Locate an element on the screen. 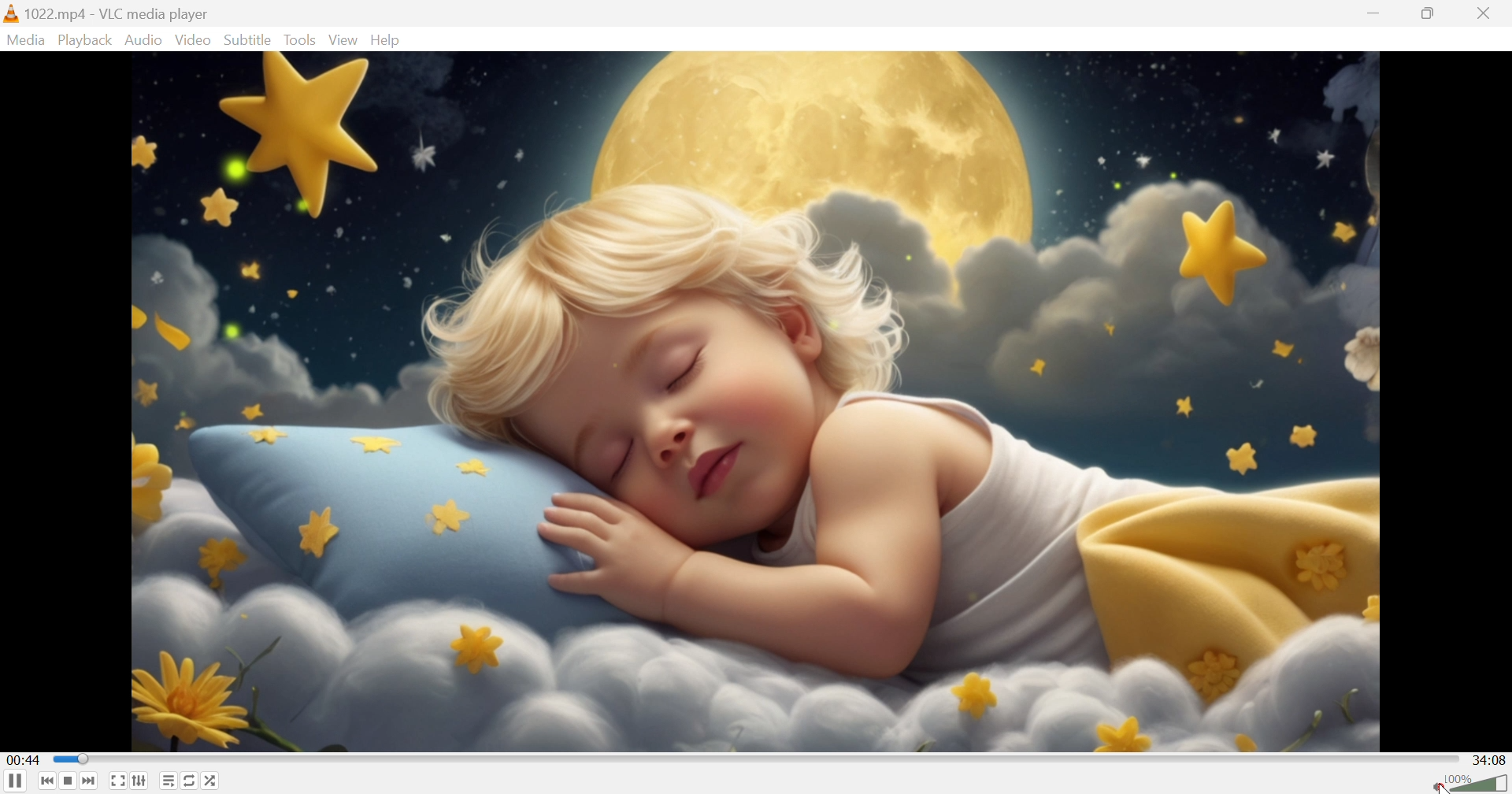  Previous media in the playlist, skip backward when held is located at coordinates (45, 781).